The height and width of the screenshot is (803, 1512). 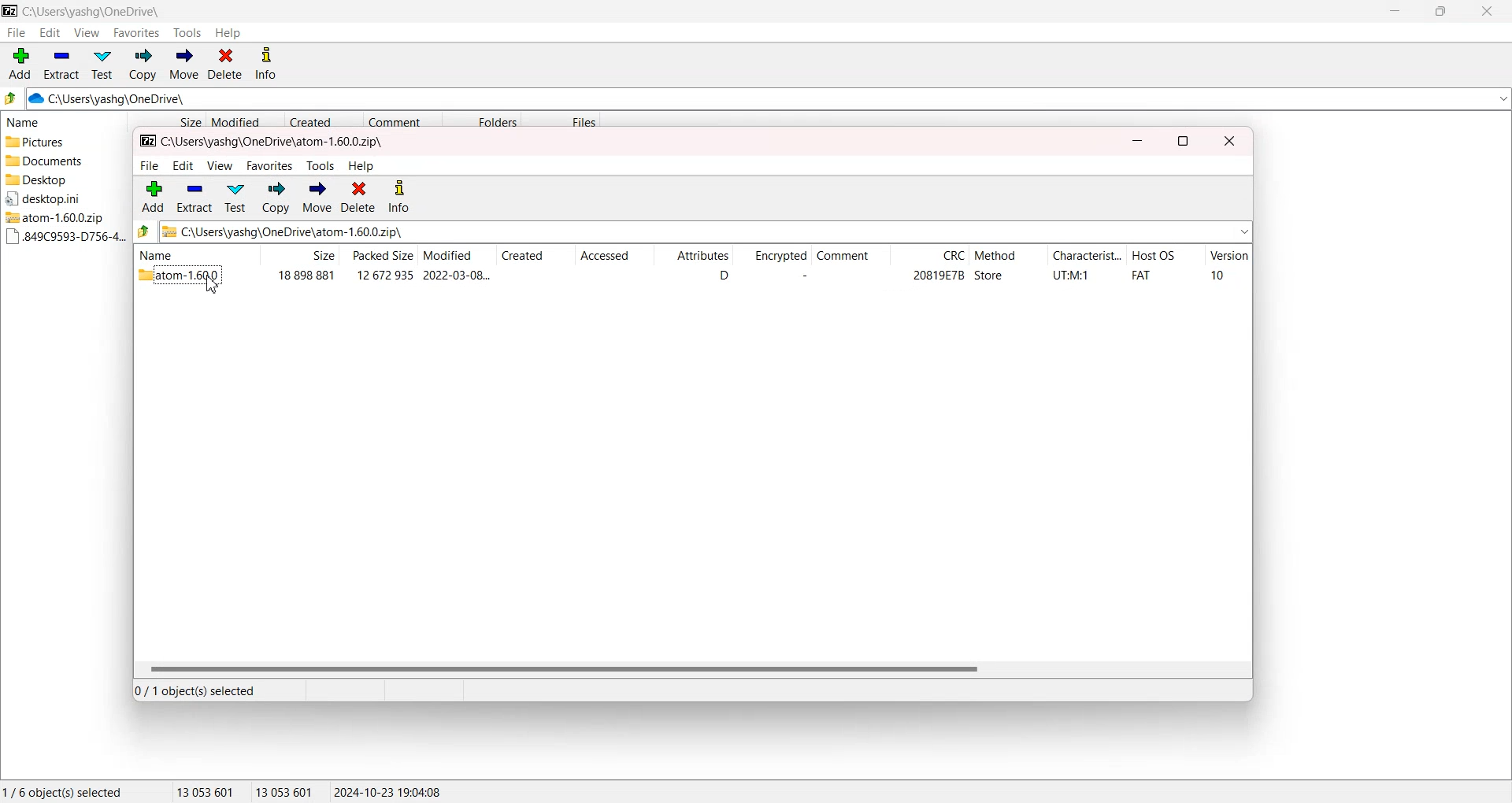 I want to click on Cursor, so click(x=213, y=286).